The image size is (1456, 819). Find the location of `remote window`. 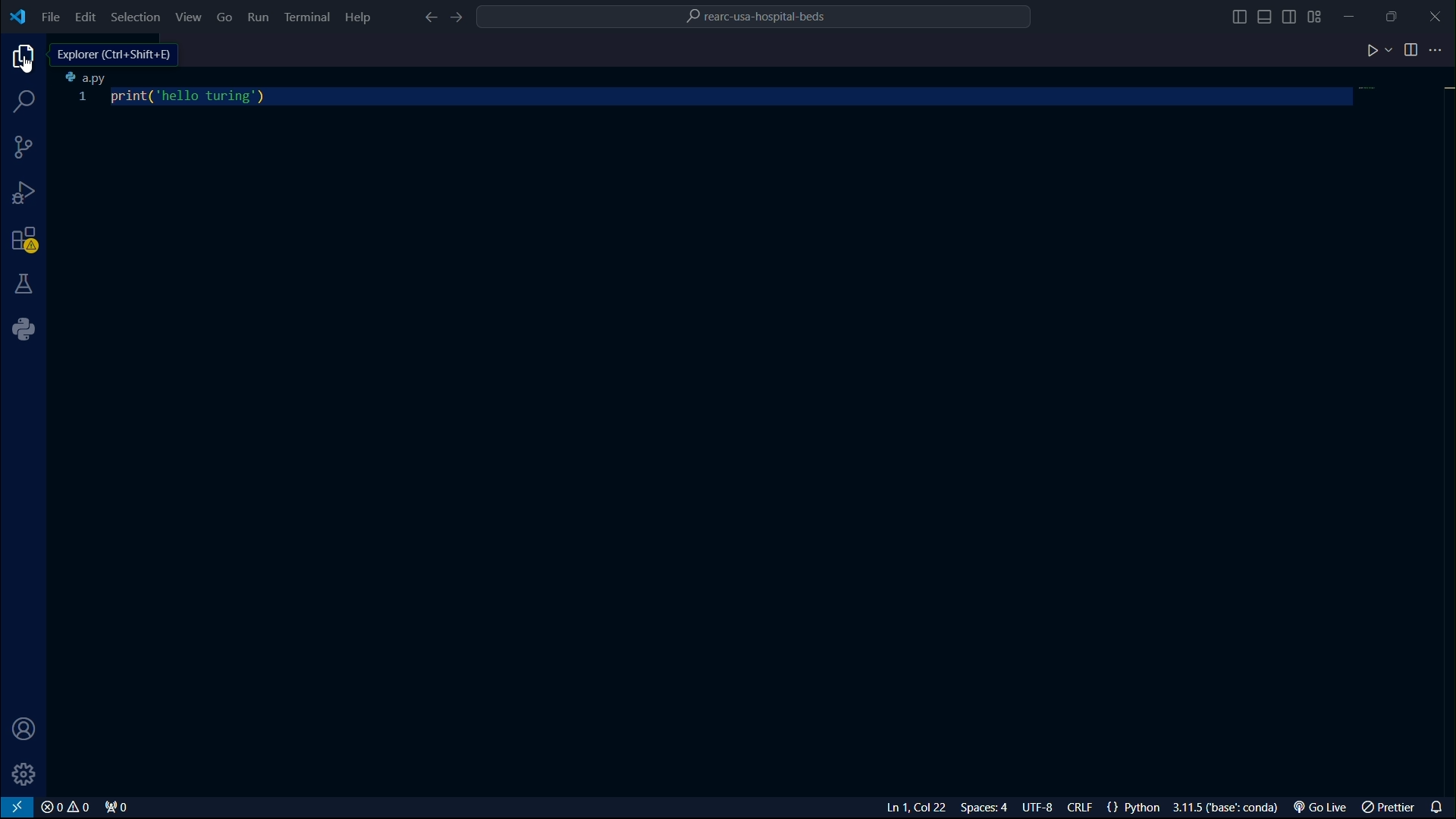

remote window is located at coordinates (18, 808).